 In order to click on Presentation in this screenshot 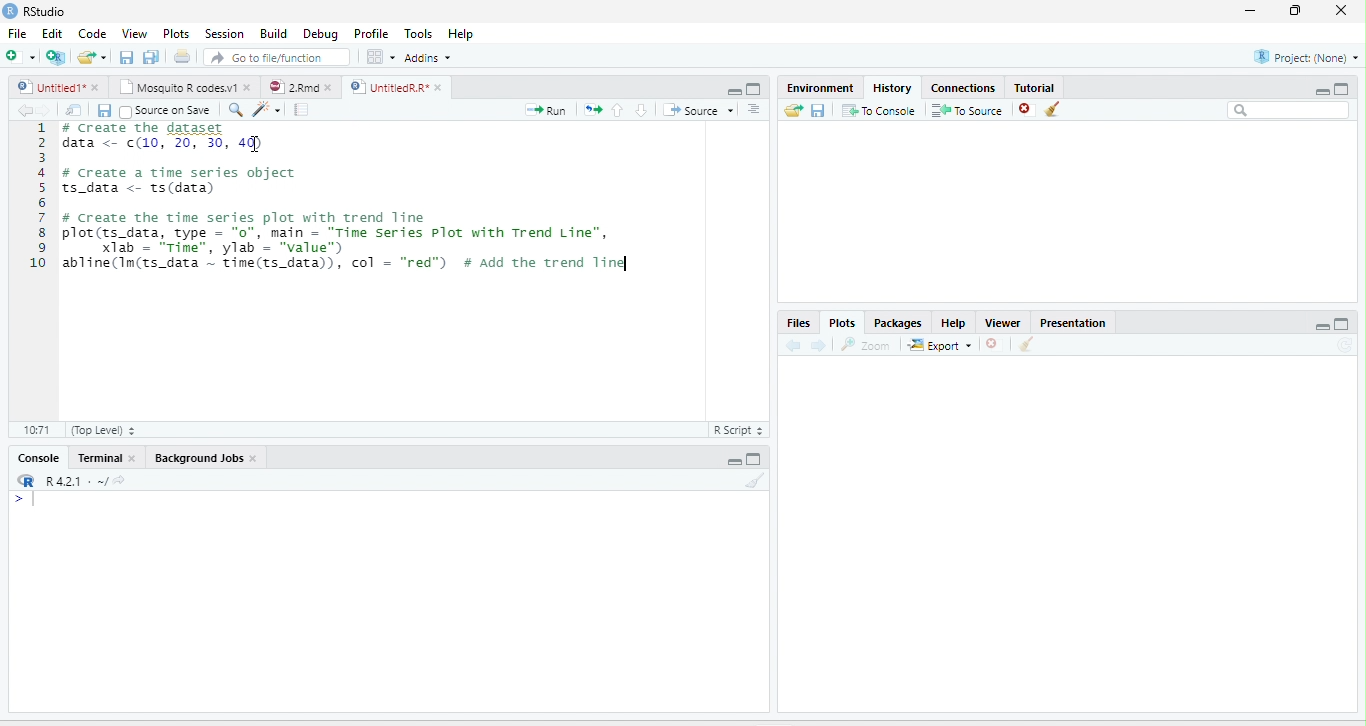, I will do `click(1073, 321)`.